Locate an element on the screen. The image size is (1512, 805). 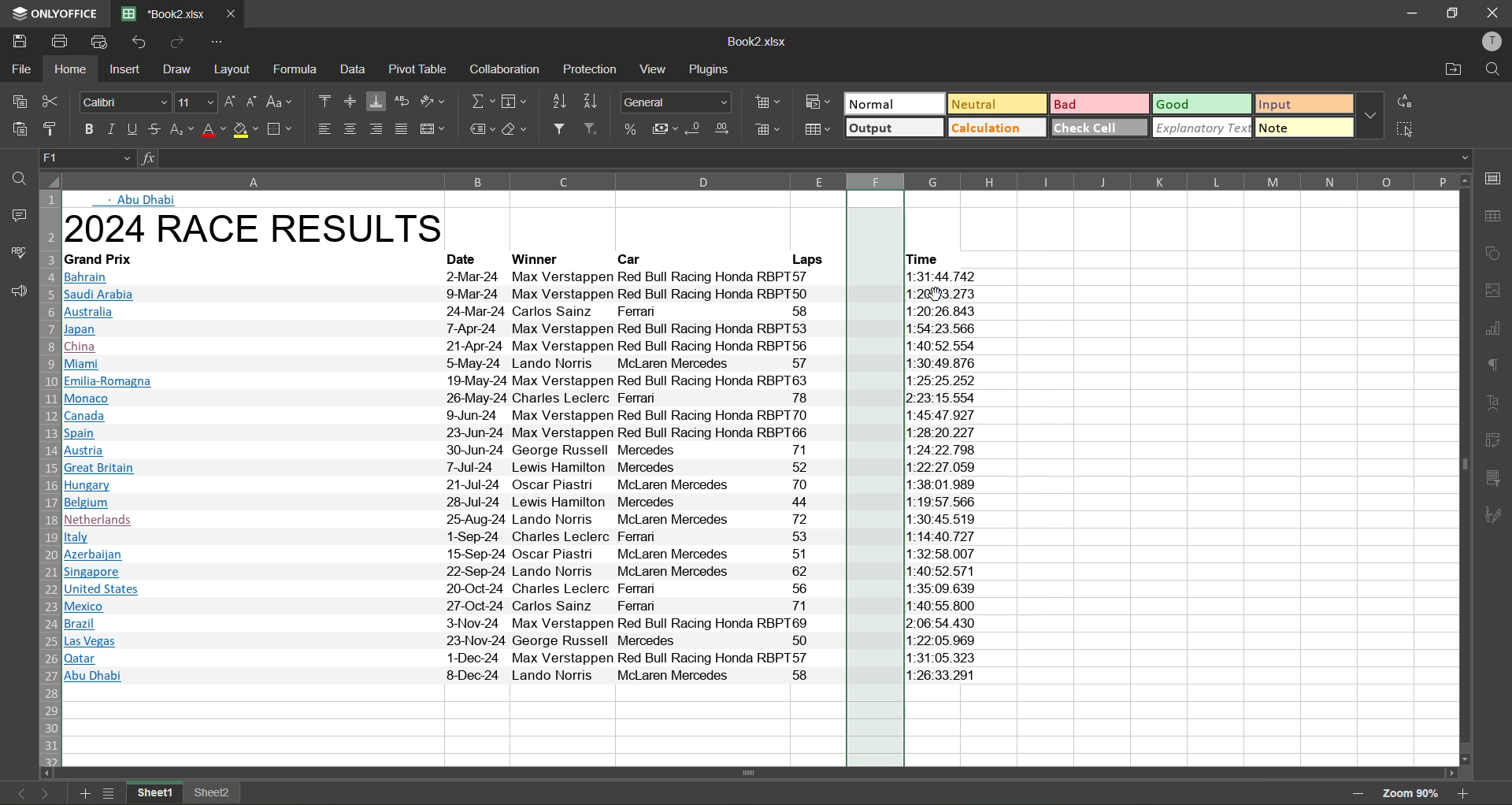
file is located at coordinates (18, 69).